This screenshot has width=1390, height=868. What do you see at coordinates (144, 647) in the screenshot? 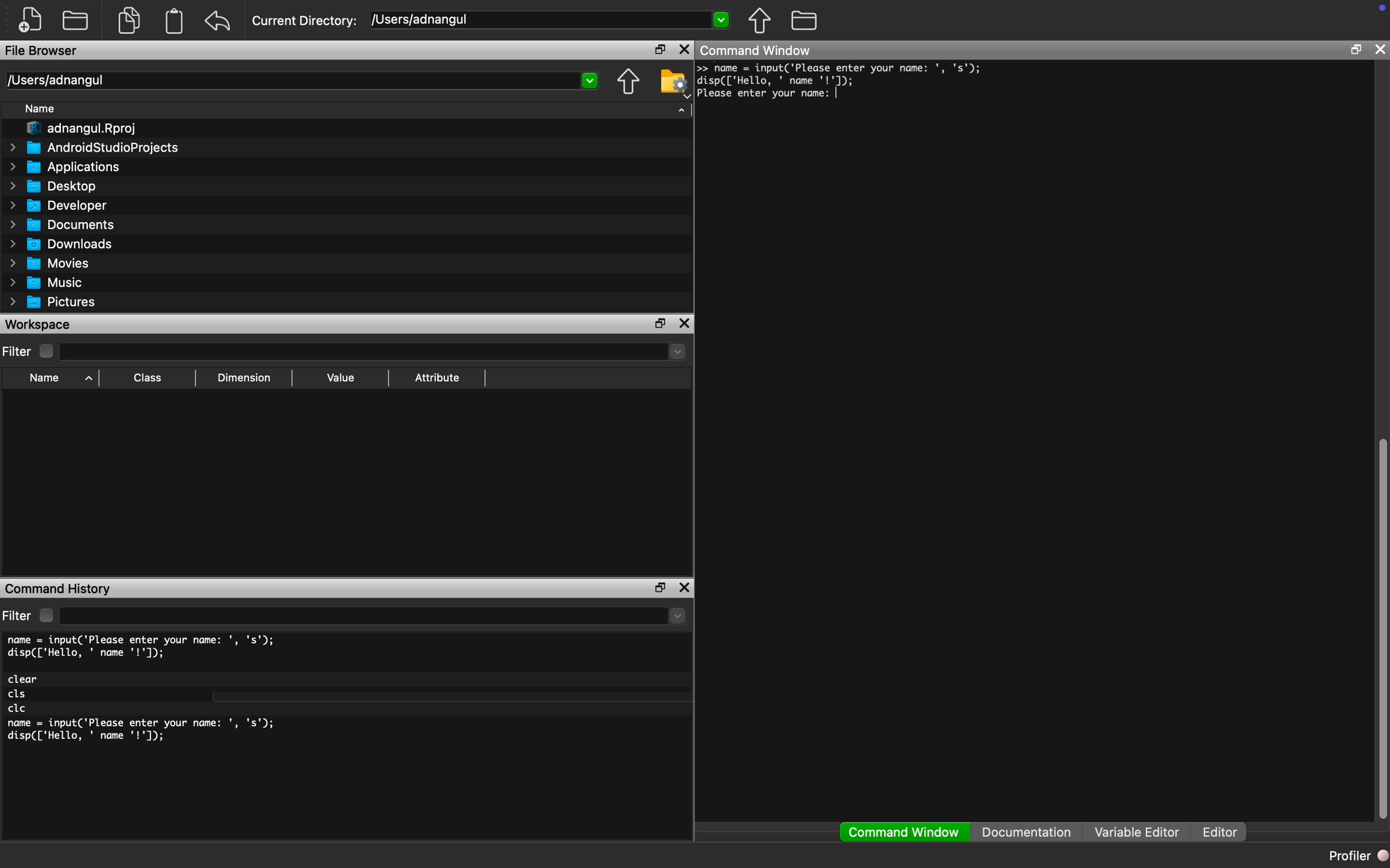
I see `name = input('Please enter your name: ', 's');
disp(['Hello, ' name '!']);` at bounding box center [144, 647].